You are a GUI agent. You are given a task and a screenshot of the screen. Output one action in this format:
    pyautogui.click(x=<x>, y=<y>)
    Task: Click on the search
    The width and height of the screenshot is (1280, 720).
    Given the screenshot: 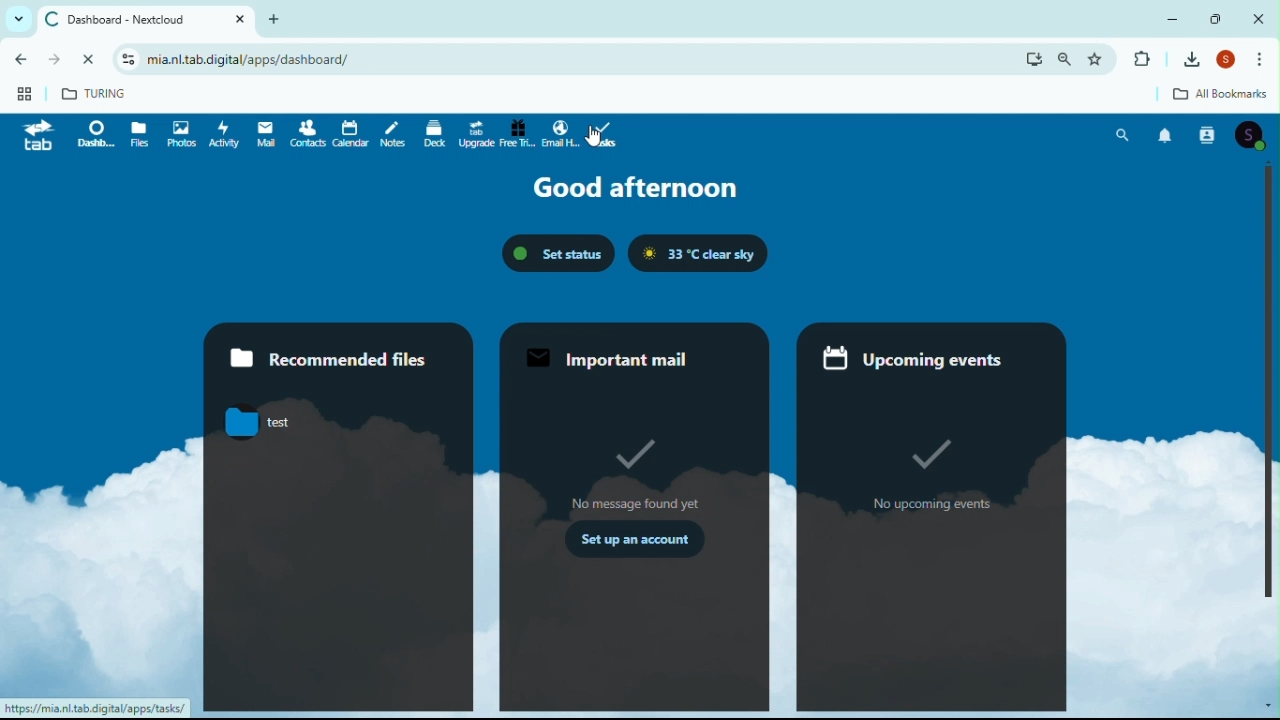 What is the action you would take?
    pyautogui.click(x=1066, y=59)
    